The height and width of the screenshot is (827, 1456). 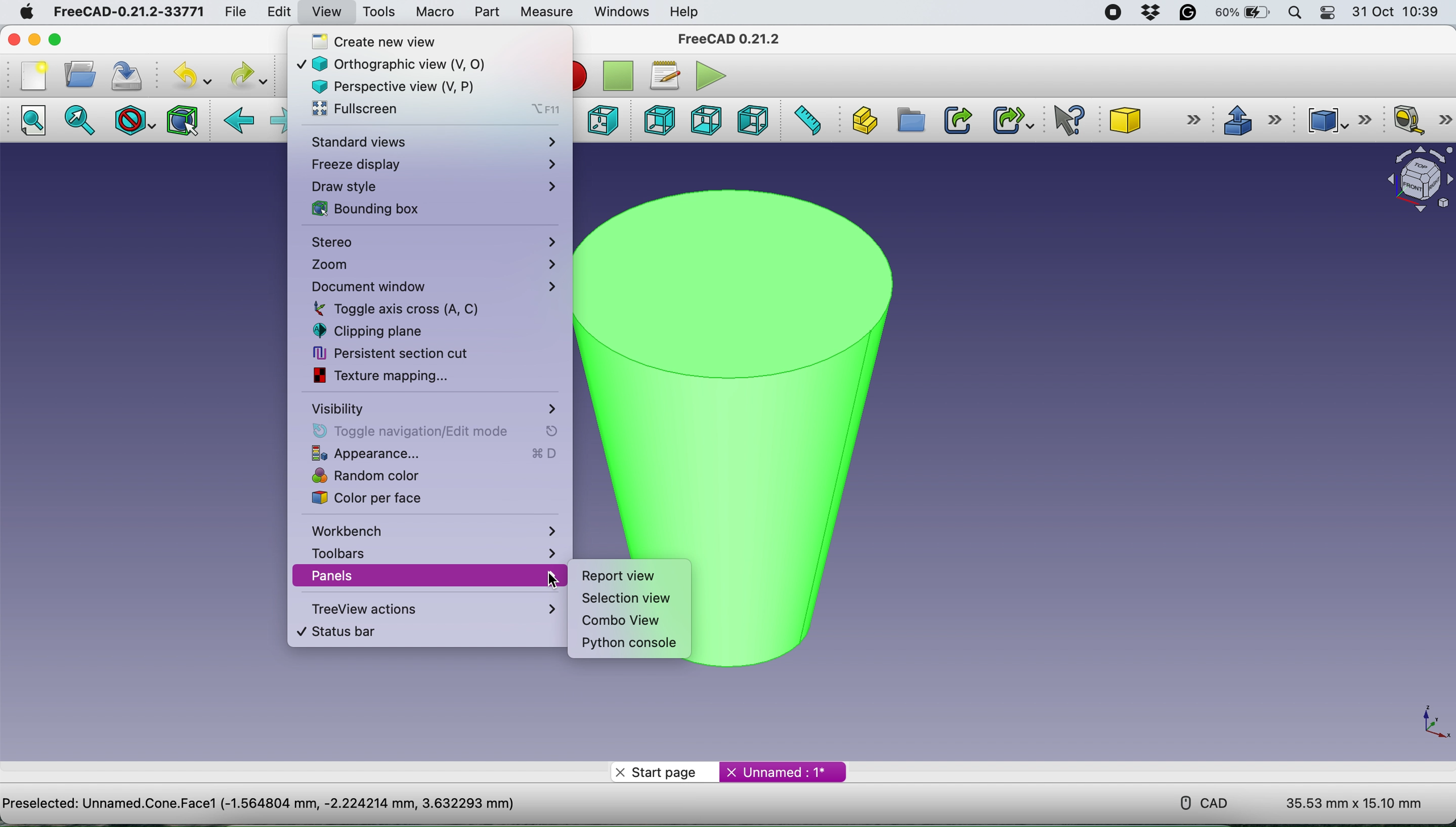 I want to click on workbench, so click(x=435, y=530).